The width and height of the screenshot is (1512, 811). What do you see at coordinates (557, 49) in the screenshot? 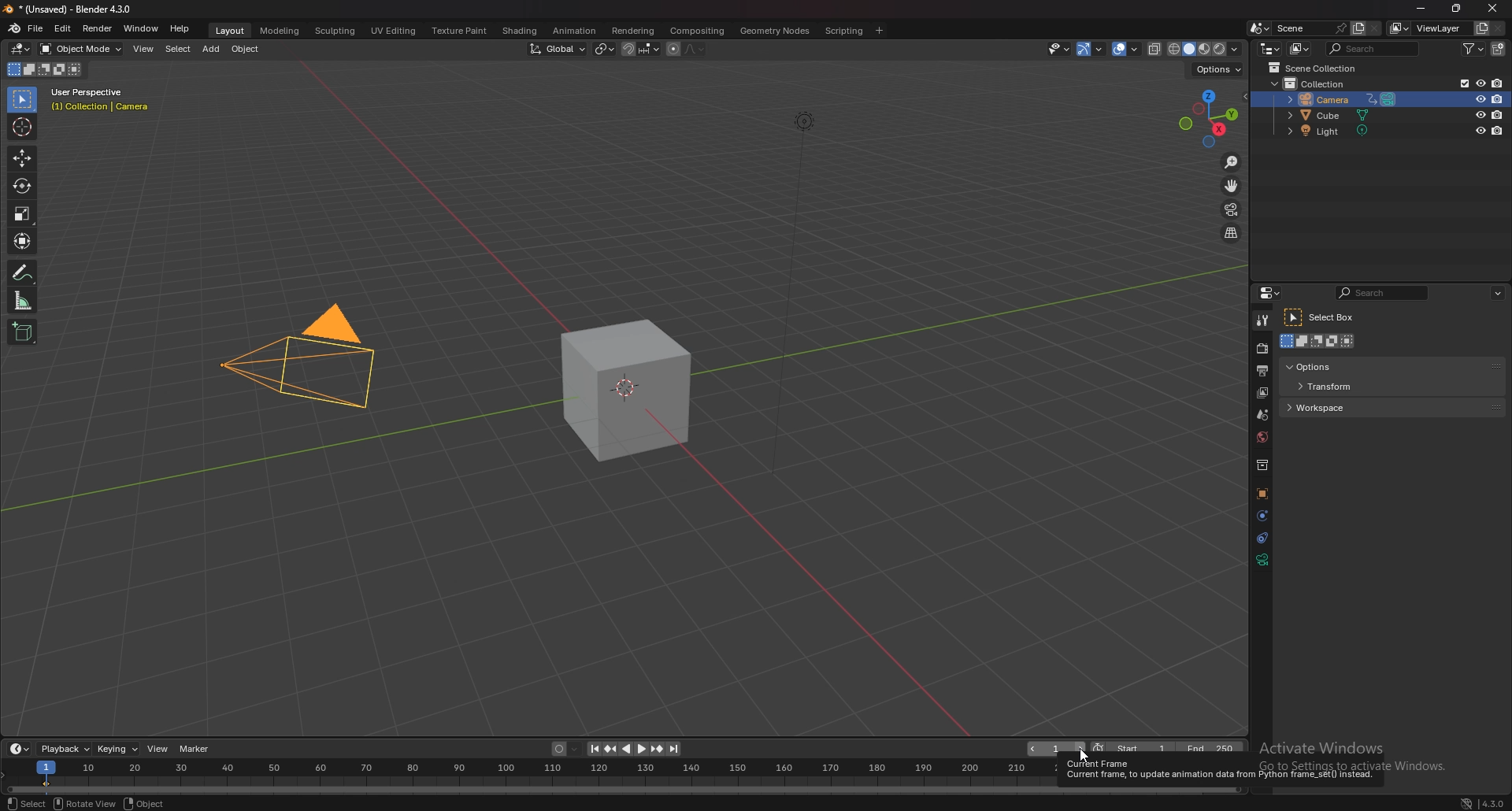
I see `transform orientation` at bounding box center [557, 49].